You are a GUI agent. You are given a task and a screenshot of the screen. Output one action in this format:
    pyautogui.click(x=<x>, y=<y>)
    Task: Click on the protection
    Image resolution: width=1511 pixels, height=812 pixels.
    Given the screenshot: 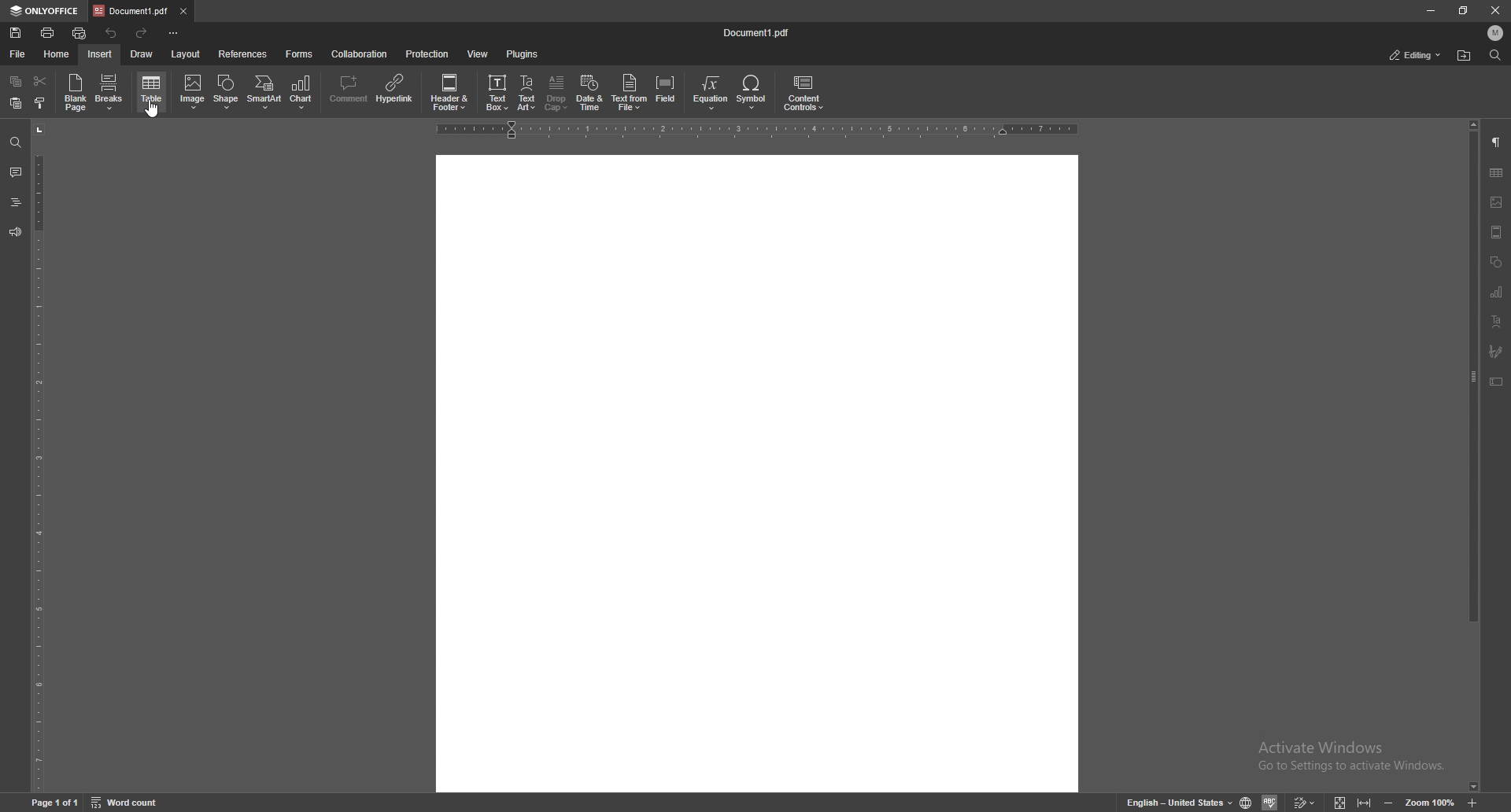 What is the action you would take?
    pyautogui.click(x=430, y=54)
    